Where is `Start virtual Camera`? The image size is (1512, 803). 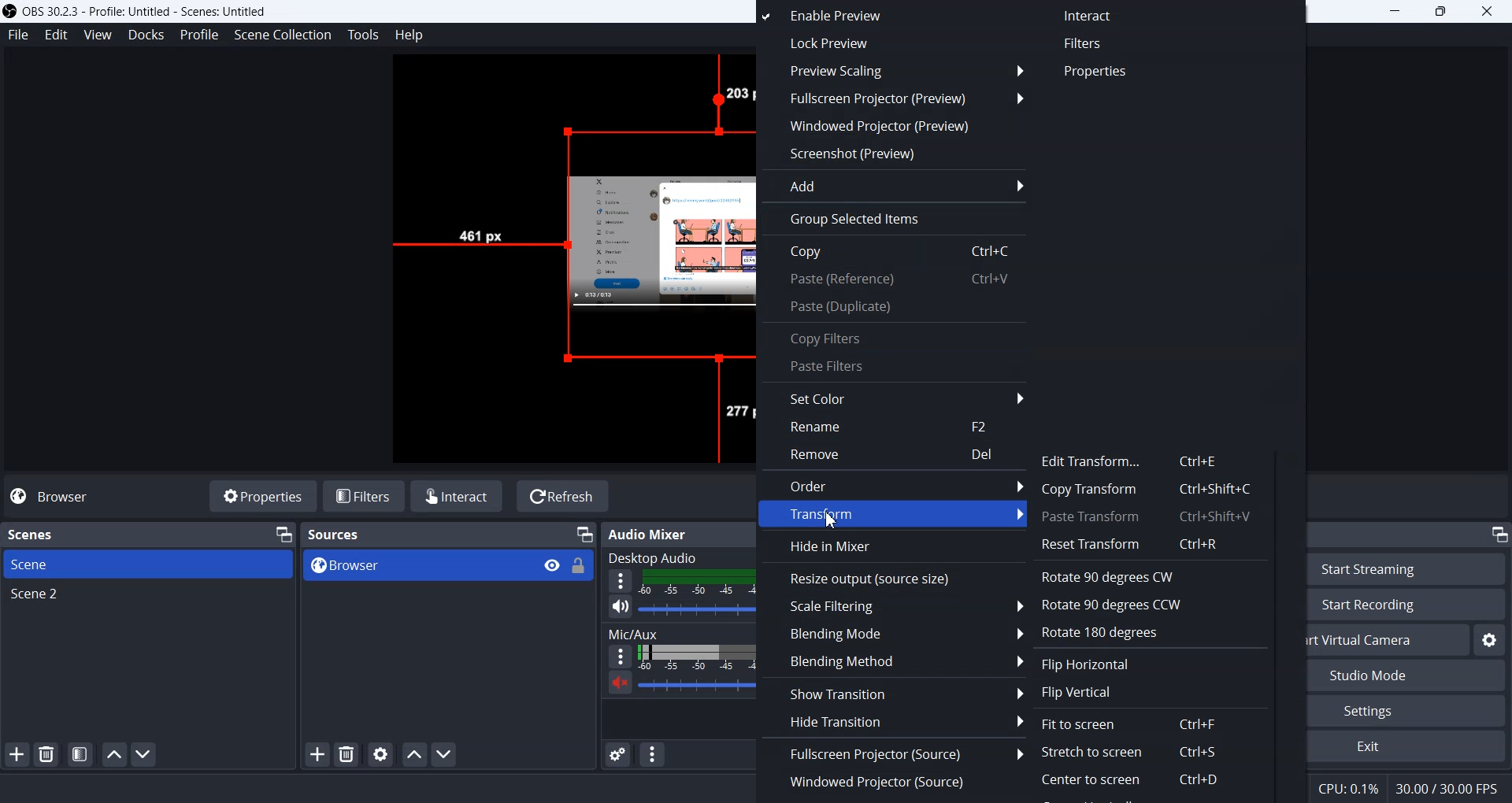 Start virtual Camera is located at coordinates (1379, 639).